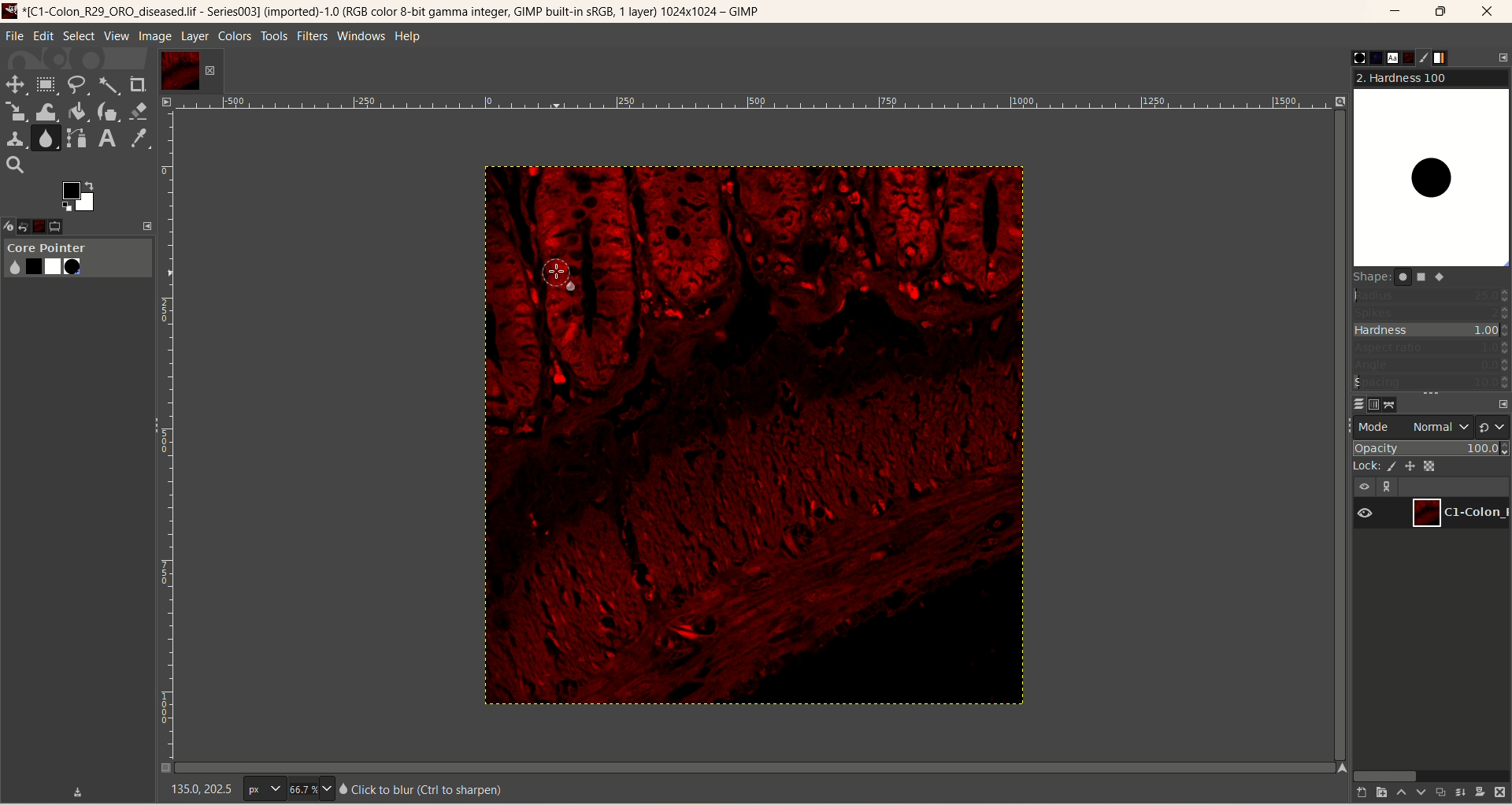 The image size is (1512, 805). Describe the element at coordinates (1502, 404) in the screenshot. I see `configure this tab` at that location.